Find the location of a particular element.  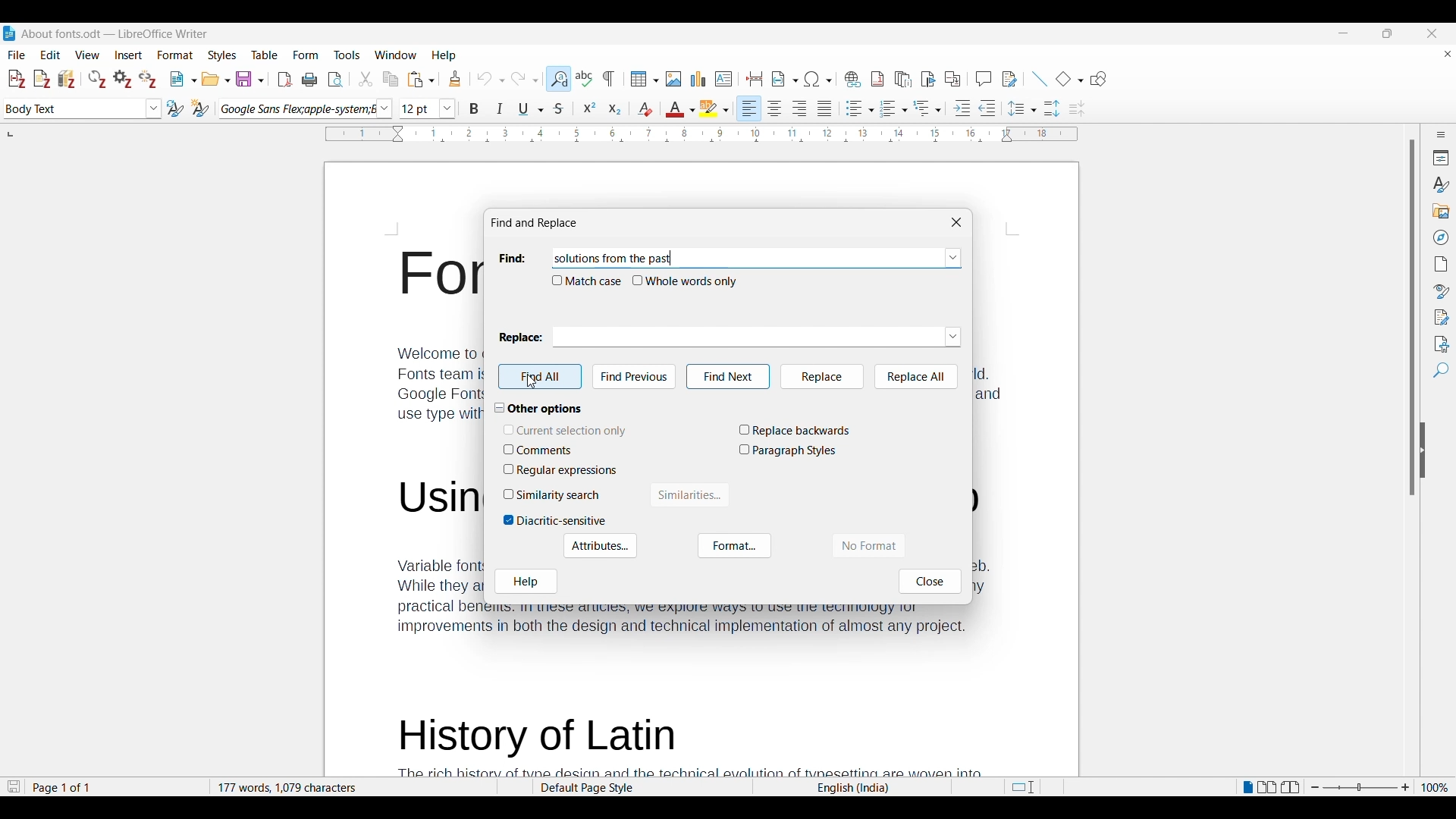

Insert menu is located at coordinates (129, 55).